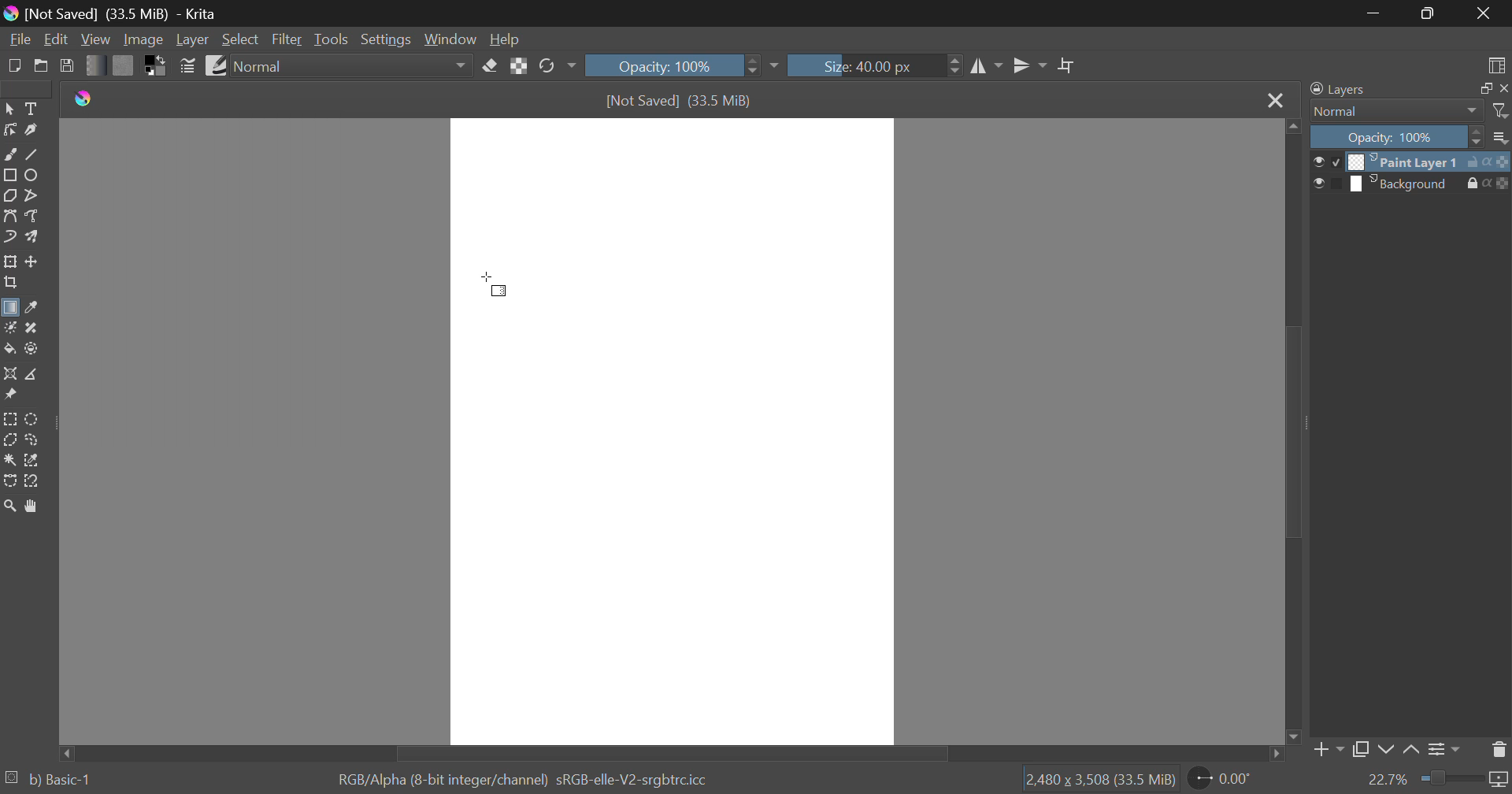 The width and height of the screenshot is (1512, 794). Describe the element at coordinates (9, 153) in the screenshot. I see `Freehand` at that location.